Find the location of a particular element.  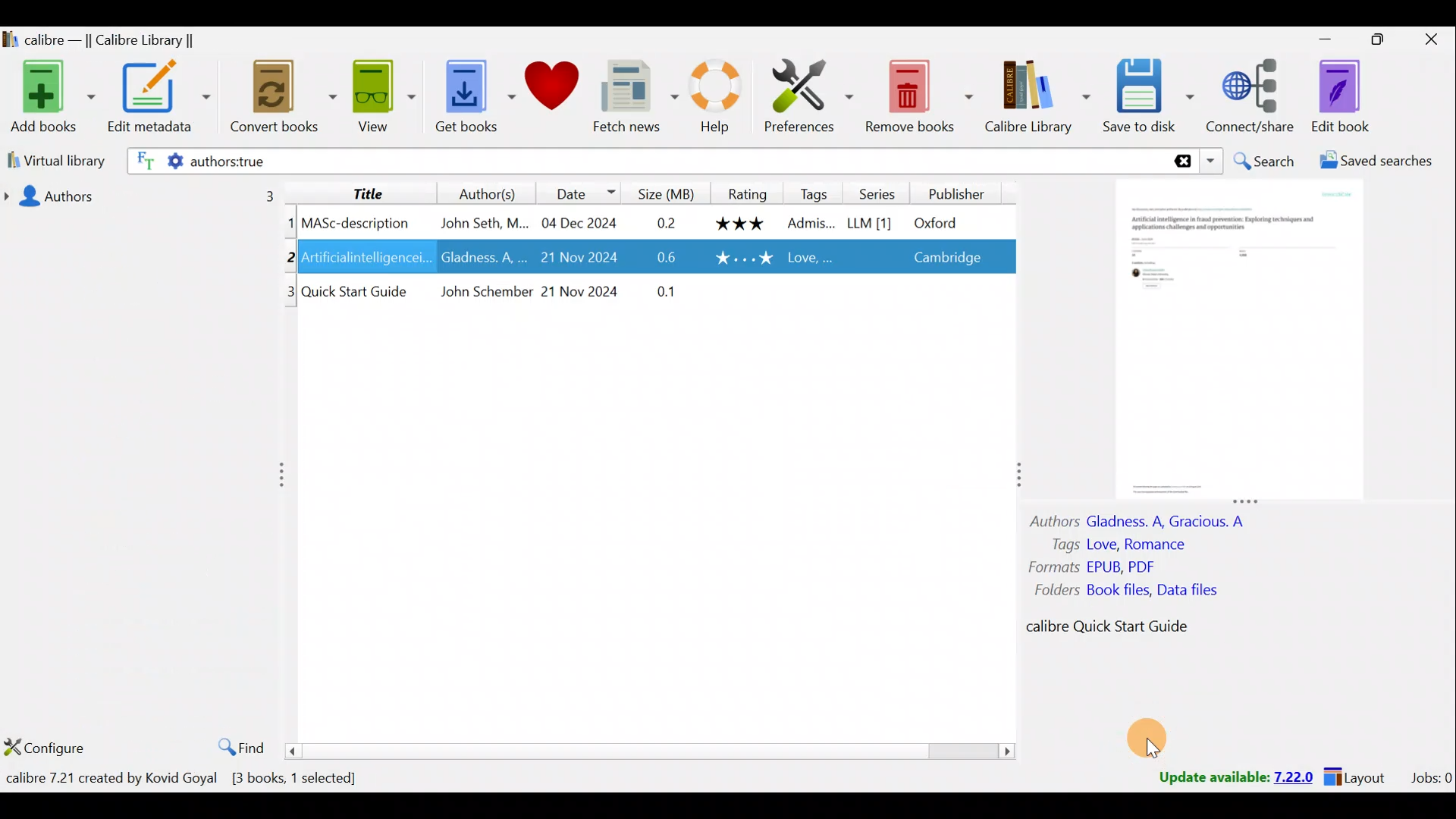

Cursor is located at coordinates (1152, 750).